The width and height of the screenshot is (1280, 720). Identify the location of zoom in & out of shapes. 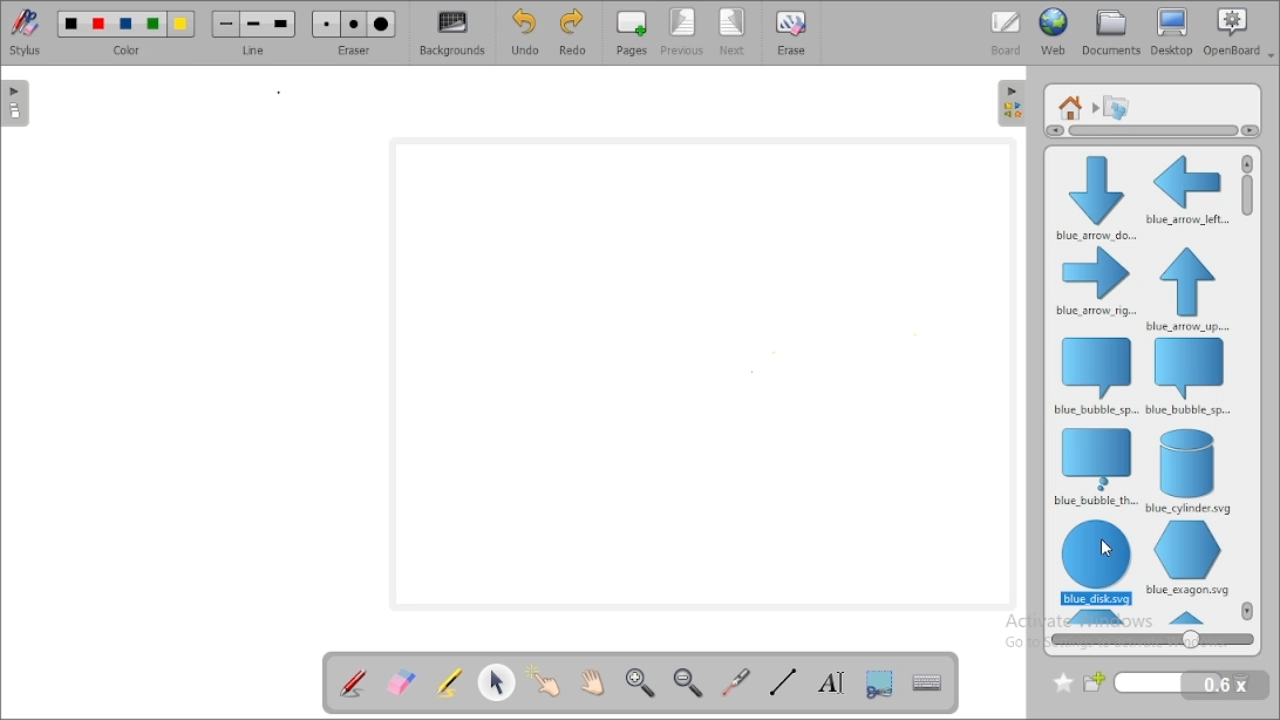
(1152, 639).